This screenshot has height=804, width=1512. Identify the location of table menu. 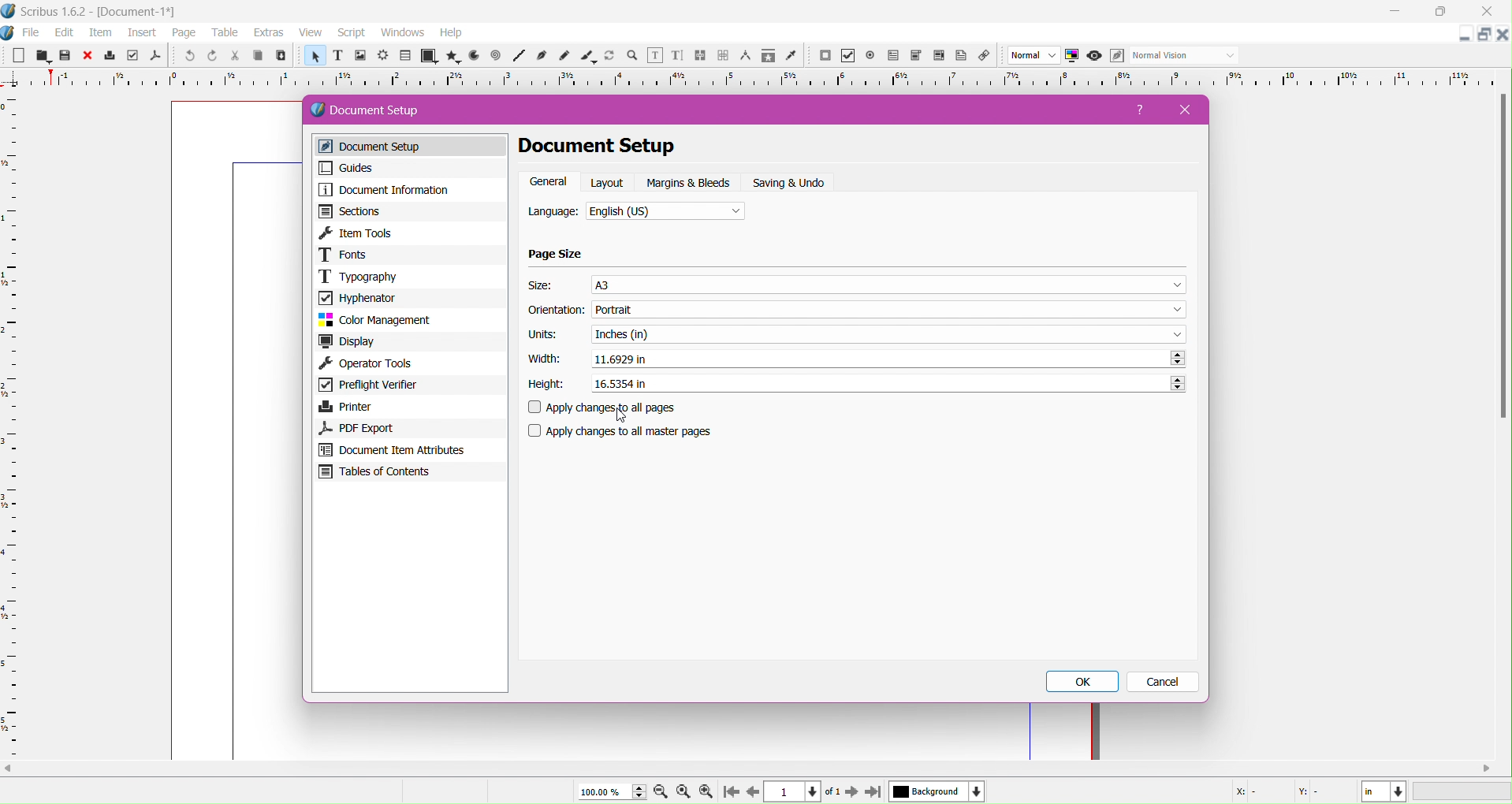
(225, 33).